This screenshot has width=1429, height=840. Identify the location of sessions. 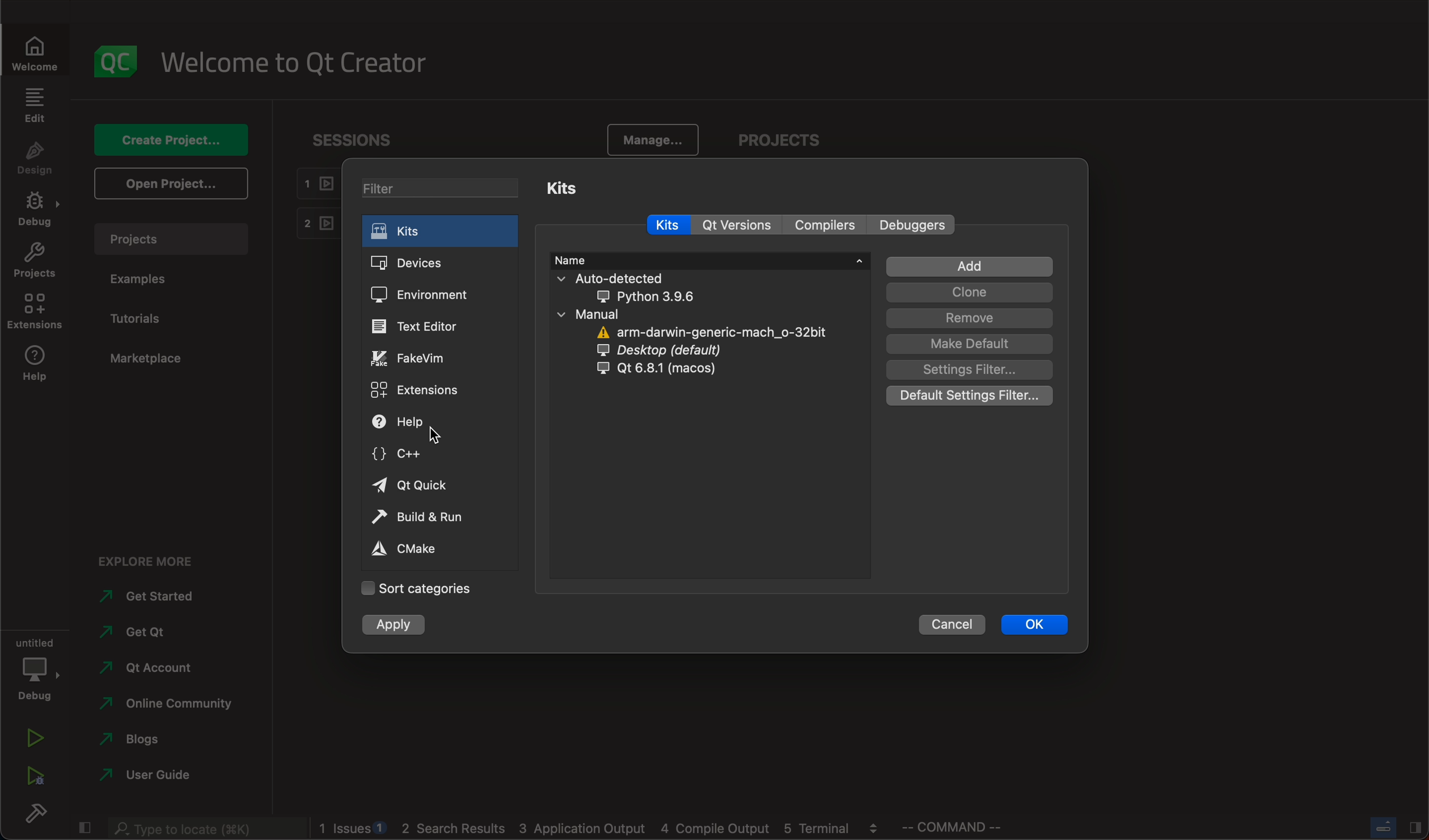
(357, 141).